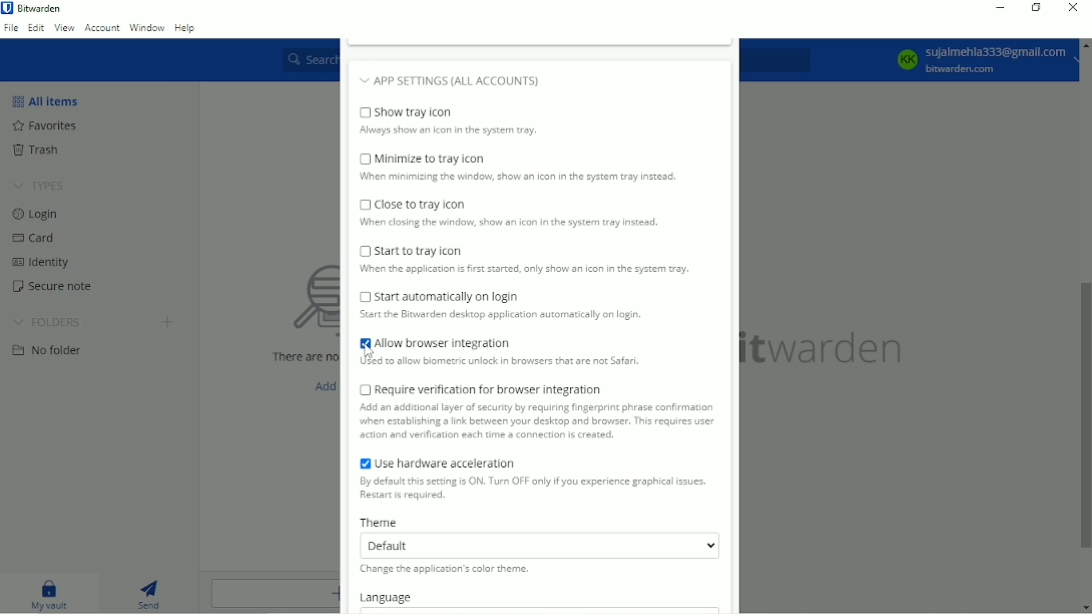  Describe the element at coordinates (49, 349) in the screenshot. I see `No folder` at that location.